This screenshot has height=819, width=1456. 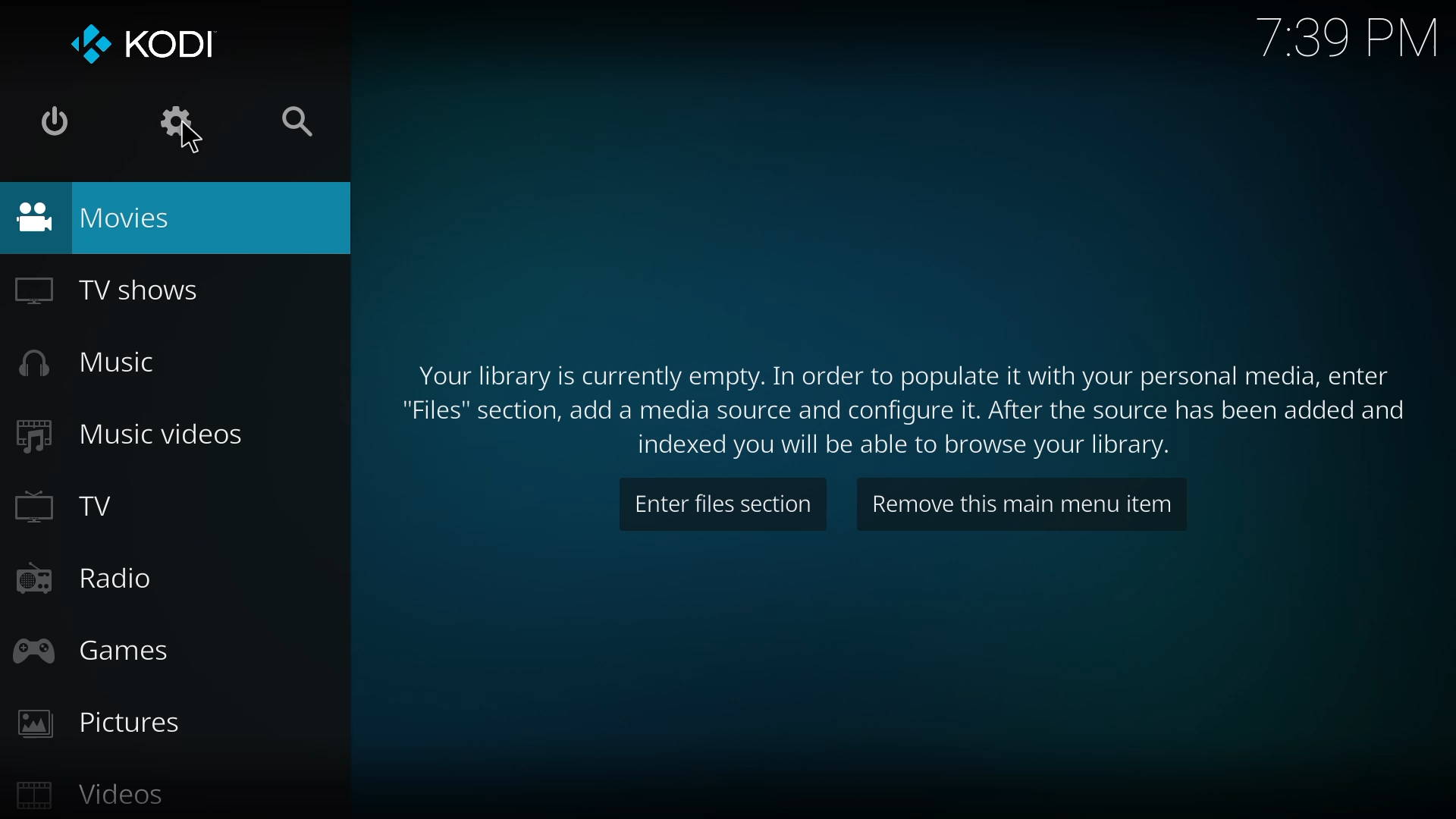 What do you see at coordinates (1024, 507) in the screenshot?
I see `remove this main menu item` at bounding box center [1024, 507].